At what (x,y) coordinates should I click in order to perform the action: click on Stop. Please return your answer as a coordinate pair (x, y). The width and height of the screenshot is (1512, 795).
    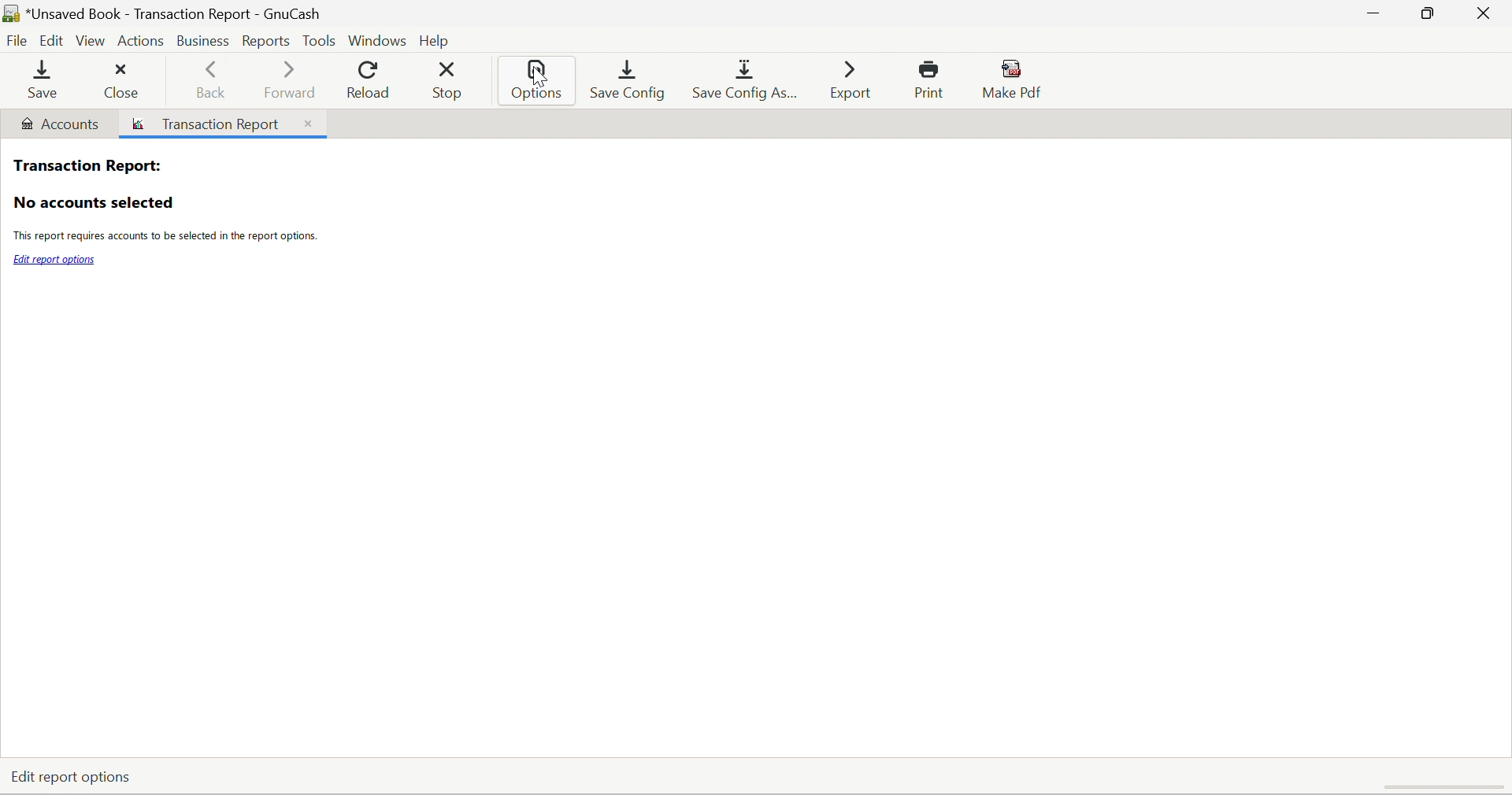
    Looking at the image, I should click on (450, 81).